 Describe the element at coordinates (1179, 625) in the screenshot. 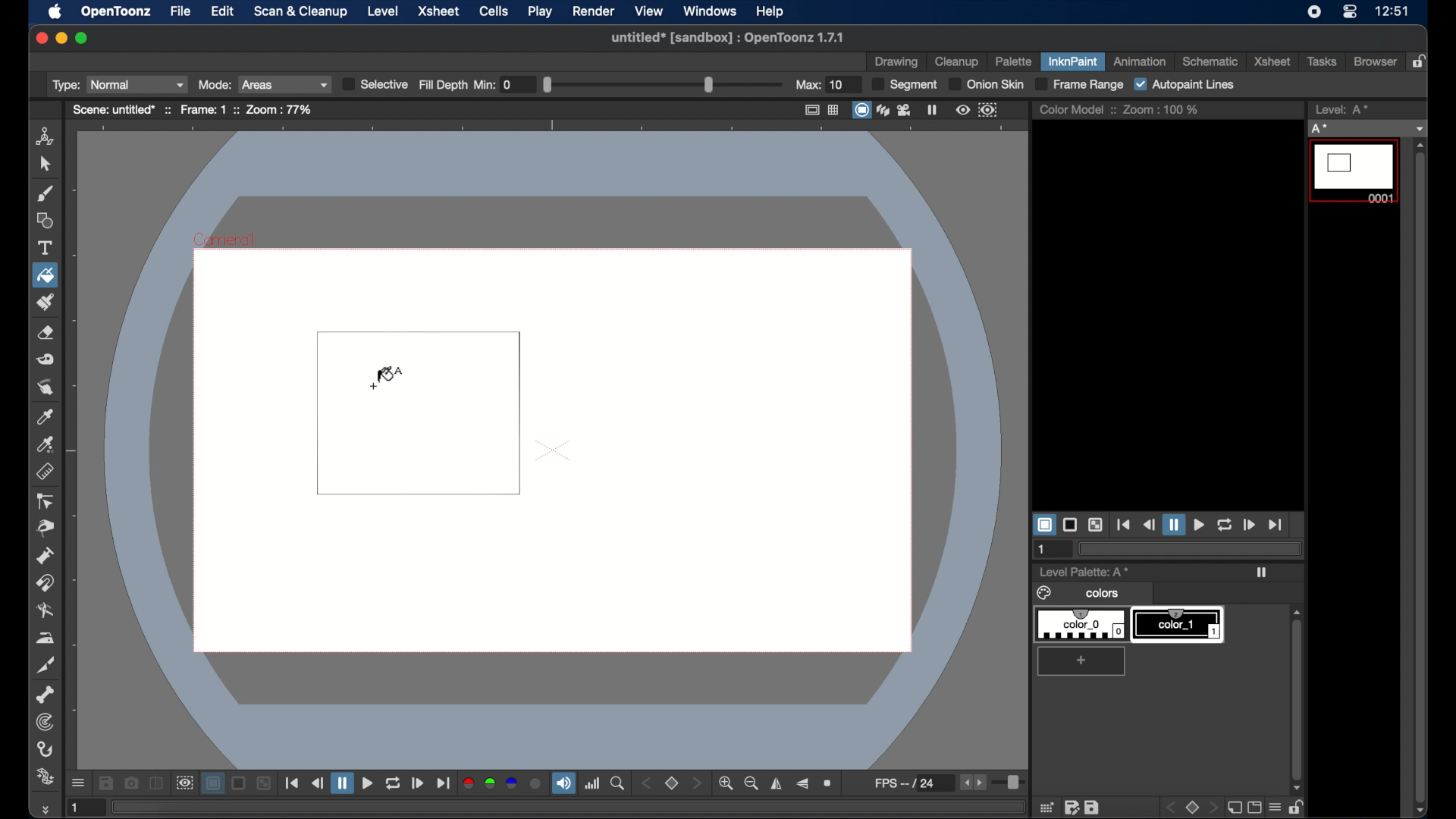

I see `color_1` at that location.